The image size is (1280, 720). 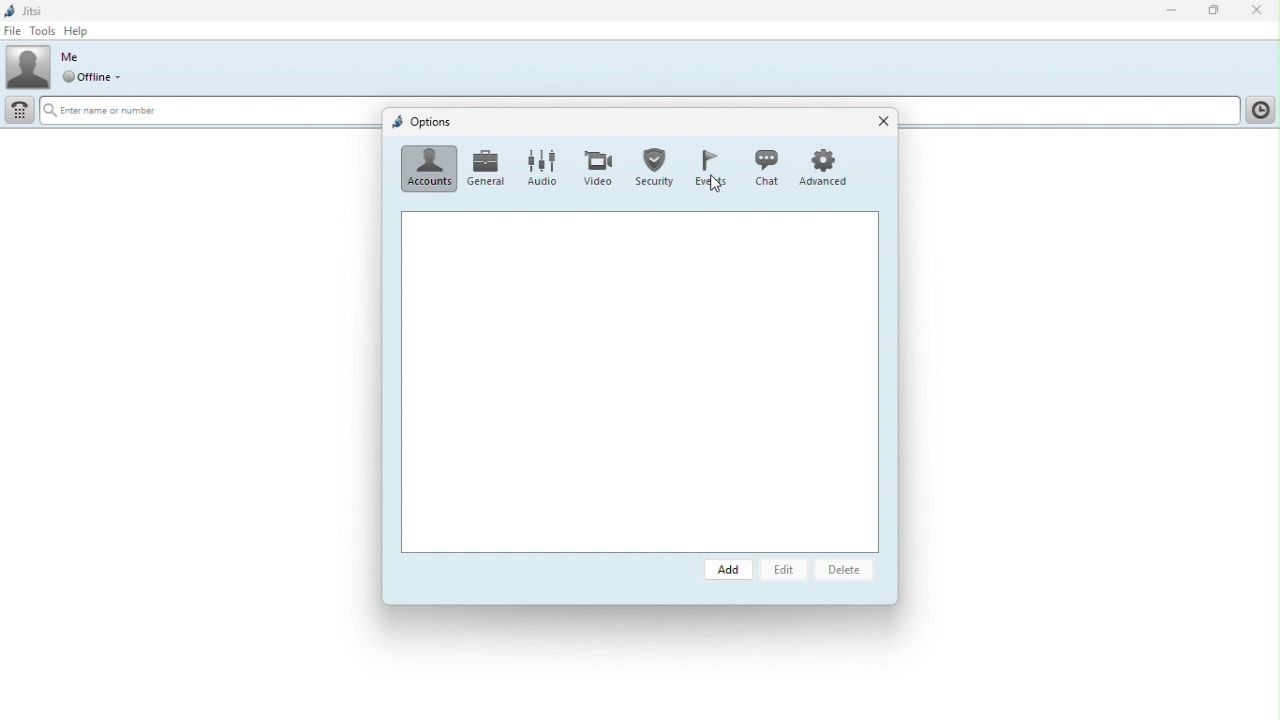 What do you see at coordinates (487, 167) in the screenshot?
I see `General` at bounding box center [487, 167].